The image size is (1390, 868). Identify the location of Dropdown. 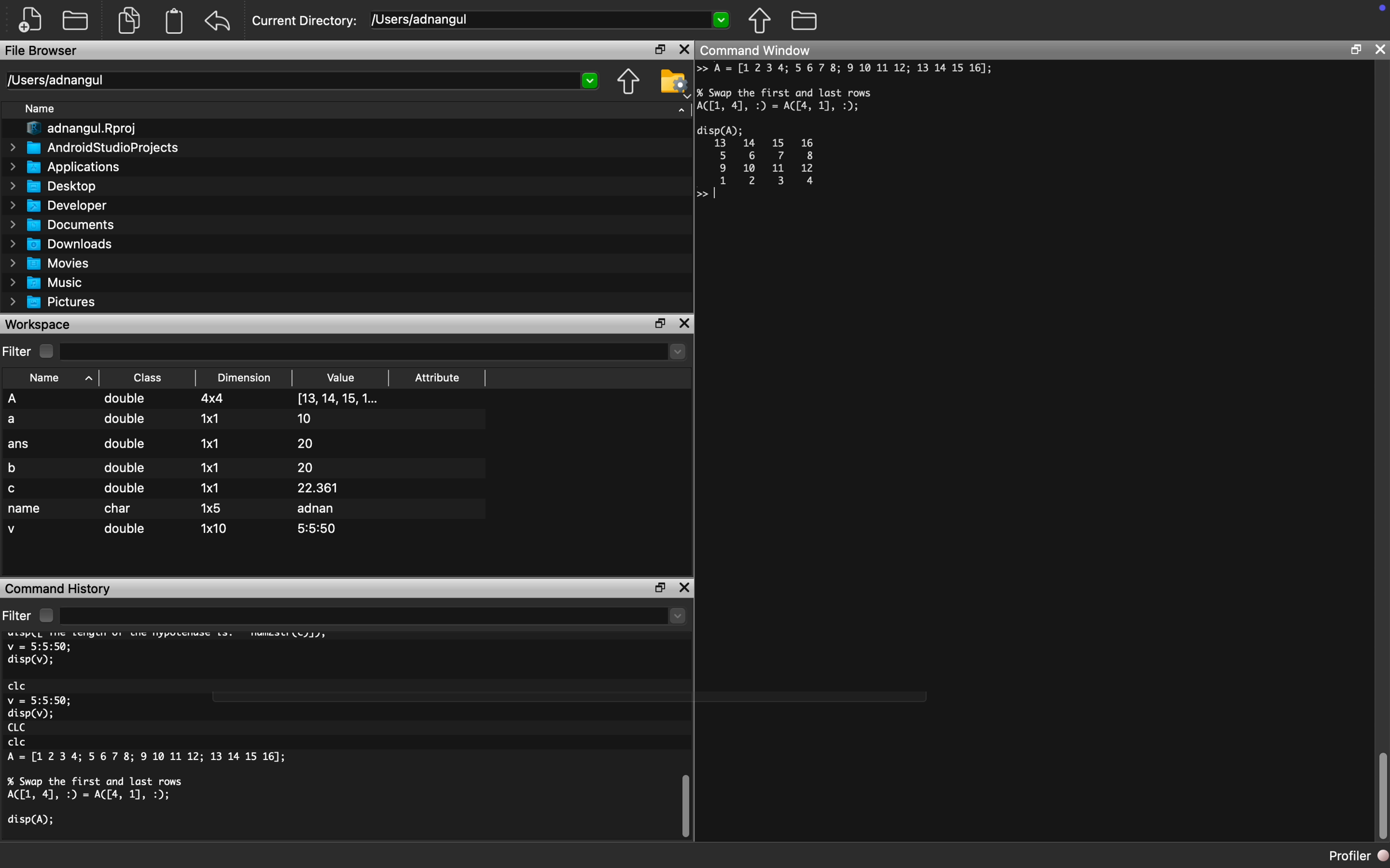
(723, 21).